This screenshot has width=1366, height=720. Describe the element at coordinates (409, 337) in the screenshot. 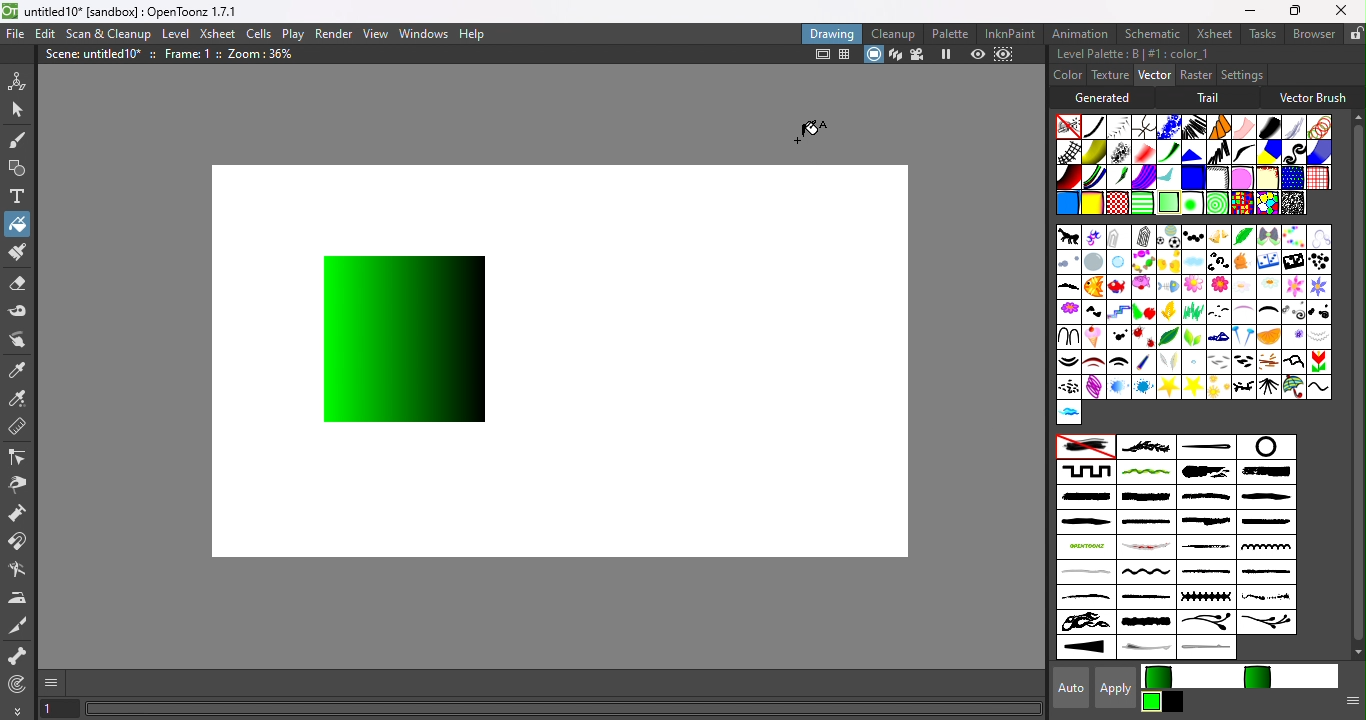

I see `gradient green rectangle` at that location.